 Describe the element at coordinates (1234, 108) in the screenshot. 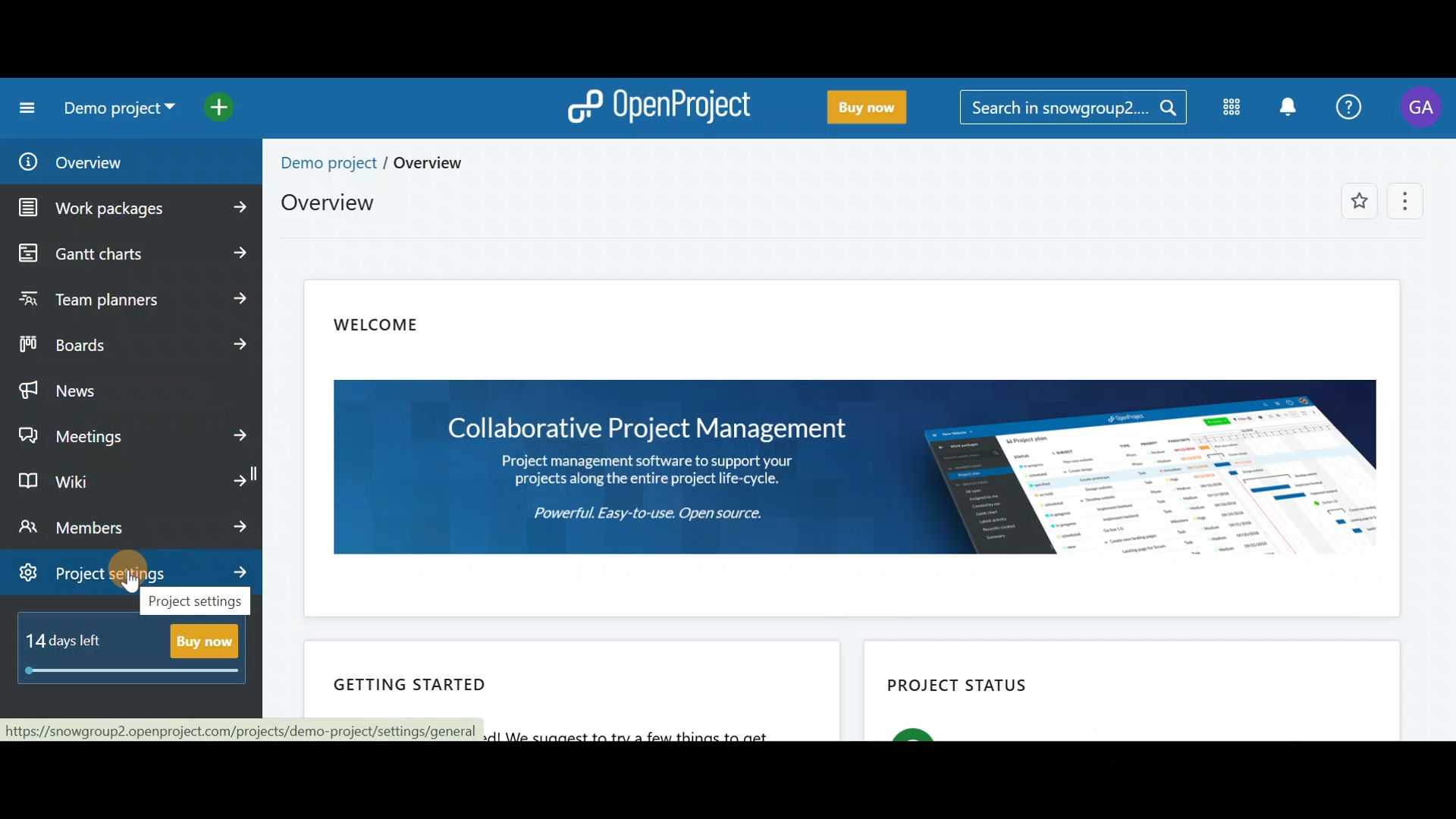

I see `Modules` at that location.